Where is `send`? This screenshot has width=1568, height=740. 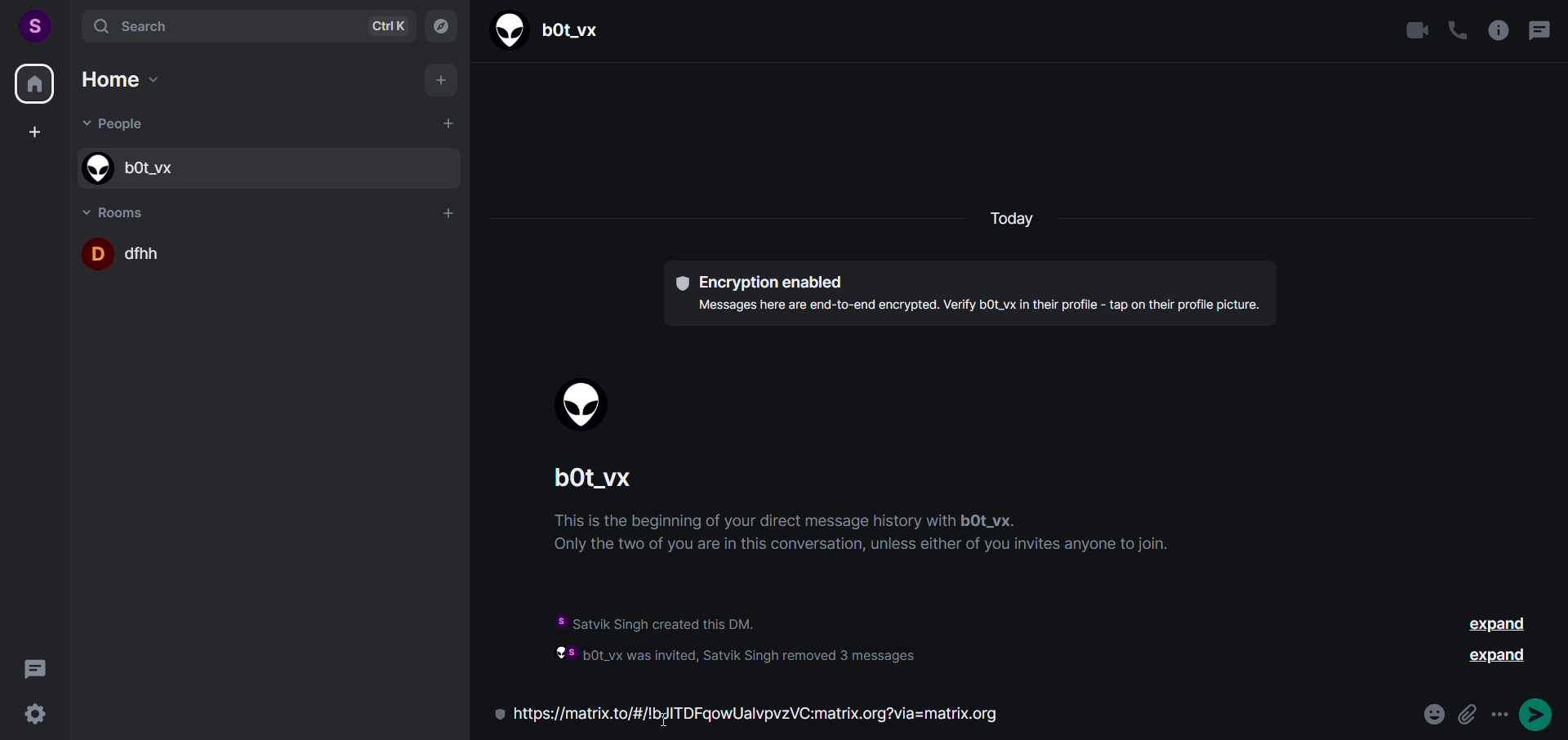 send is located at coordinates (1535, 714).